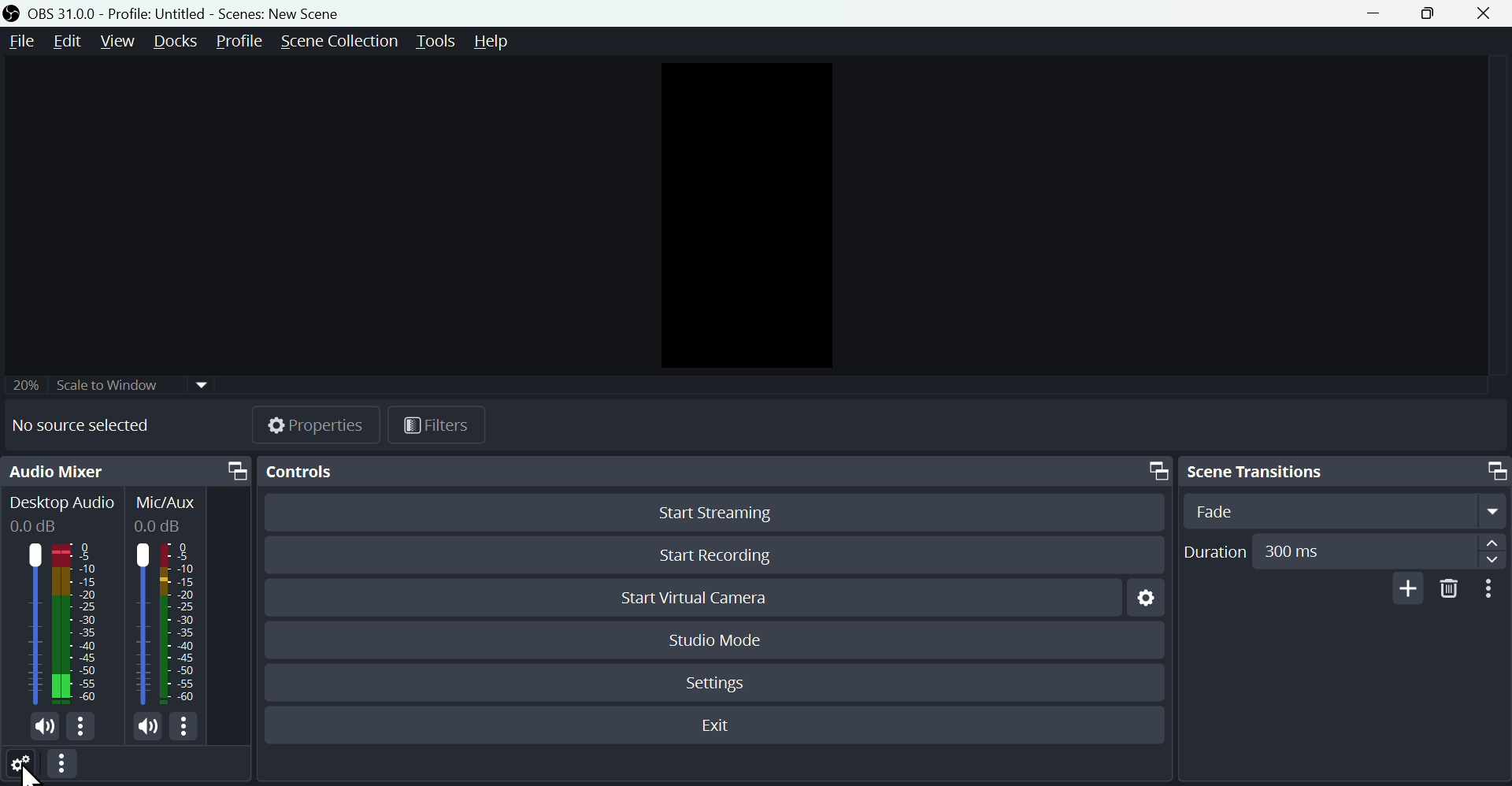 The image size is (1512, 786). Describe the element at coordinates (749, 214) in the screenshot. I see `Preview` at that location.